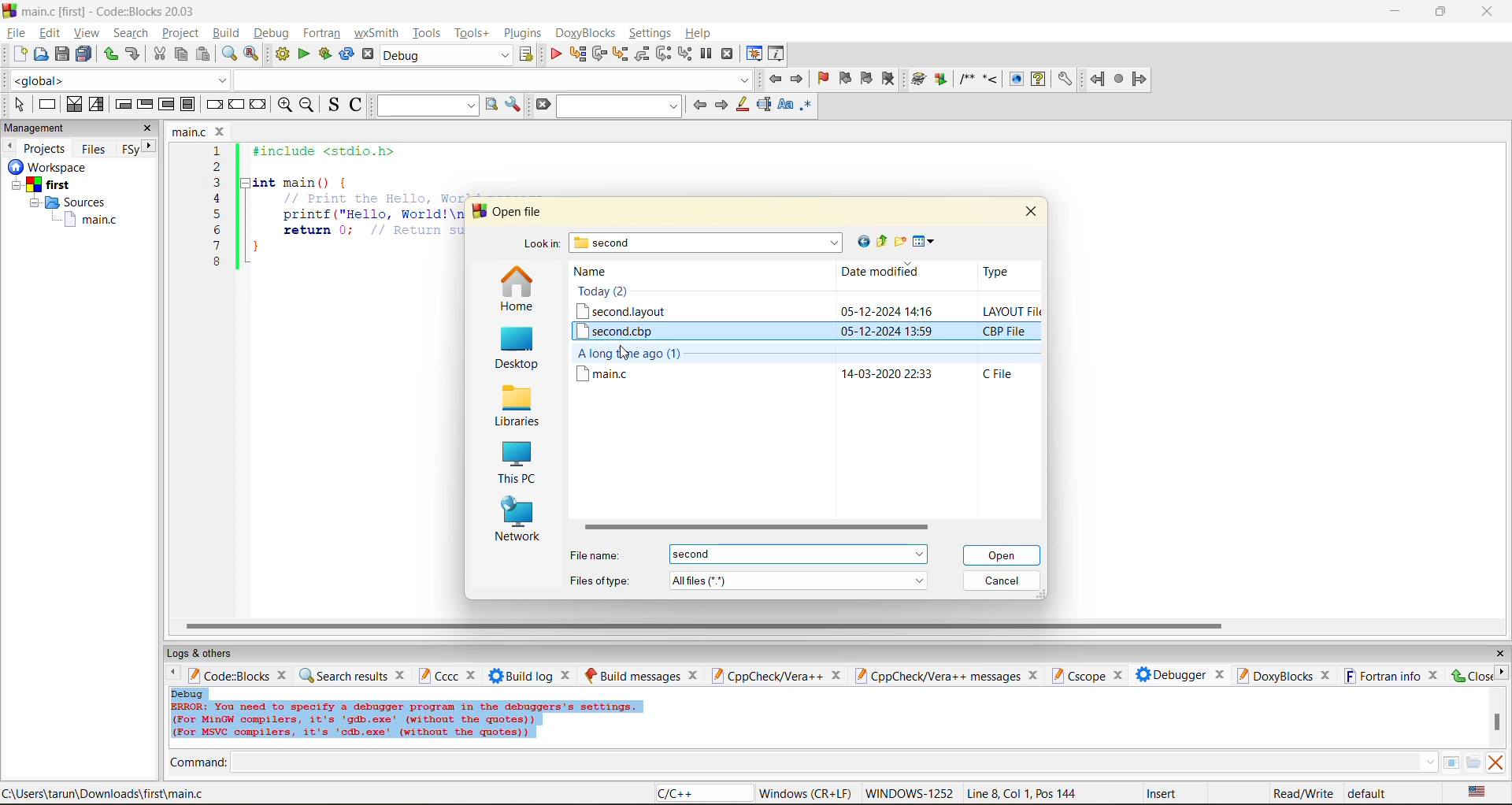 This screenshot has width=1512, height=805. What do you see at coordinates (888, 78) in the screenshot?
I see `clear bookmark` at bounding box center [888, 78].